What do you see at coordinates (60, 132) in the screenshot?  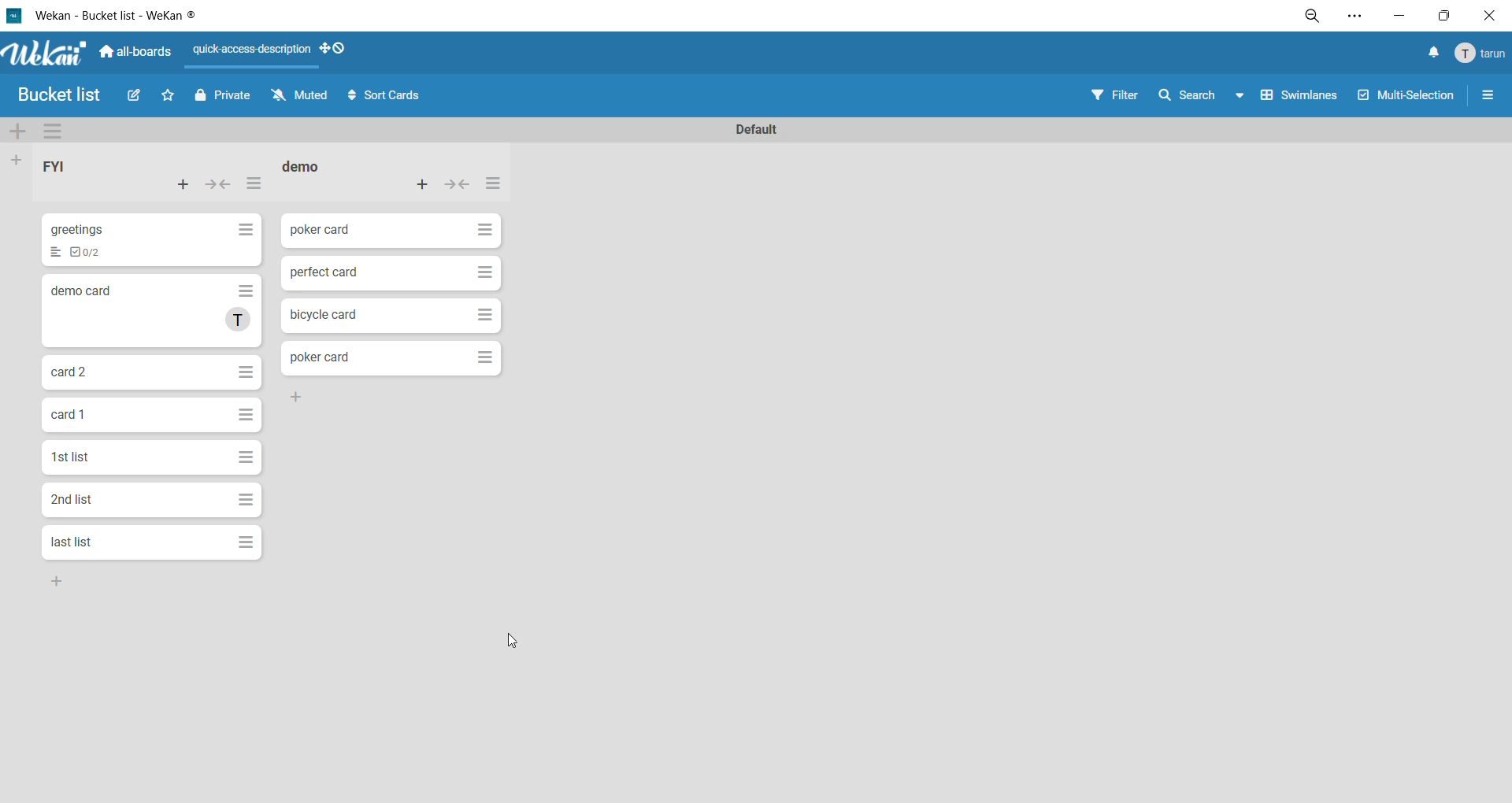 I see `swimlane actions` at bounding box center [60, 132].